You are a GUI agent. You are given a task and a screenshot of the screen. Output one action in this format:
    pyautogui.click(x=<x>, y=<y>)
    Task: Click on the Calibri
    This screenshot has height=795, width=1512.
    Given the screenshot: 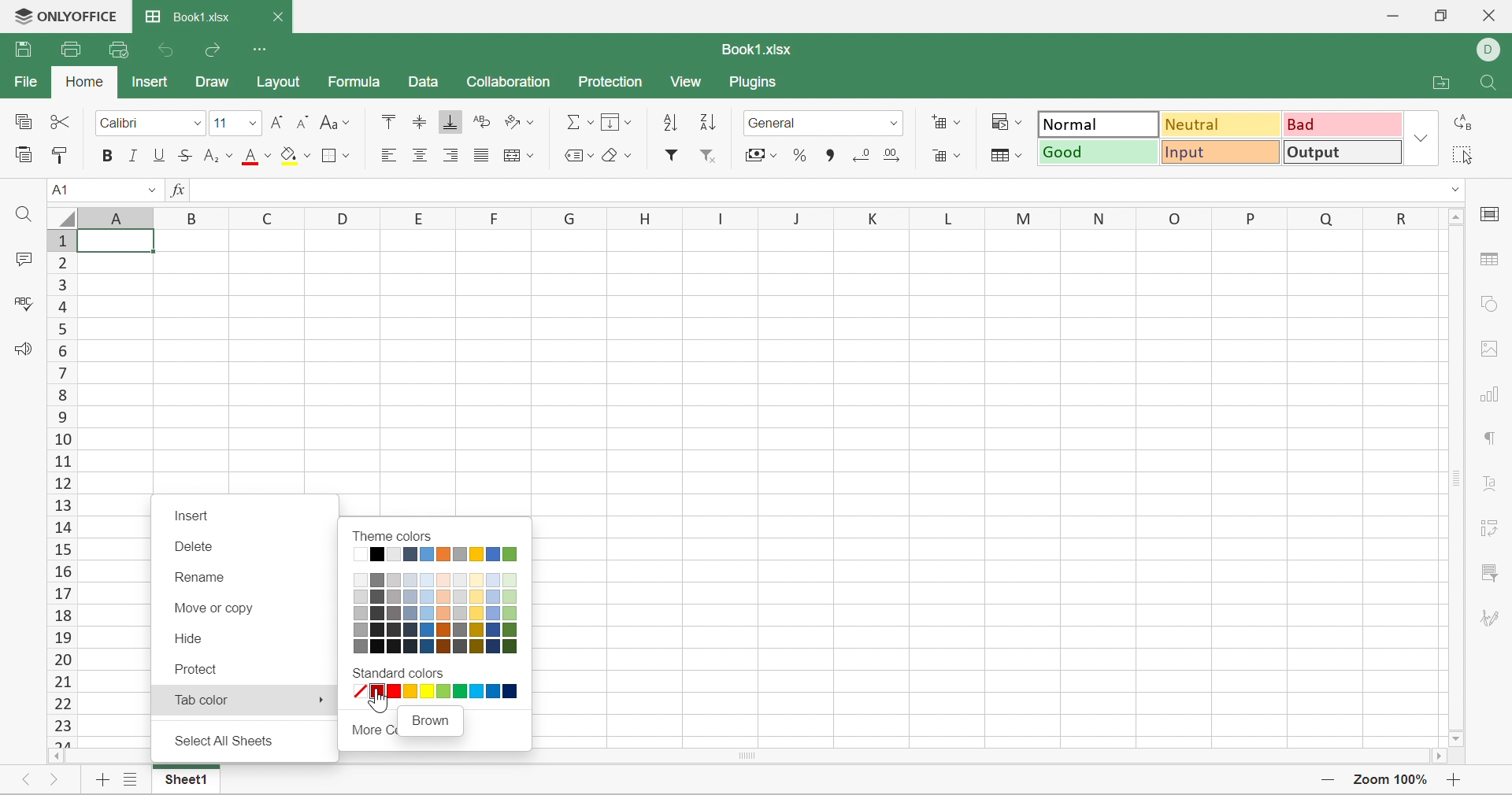 What is the action you would take?
    pyautogui.click(x=134, y=124)
    